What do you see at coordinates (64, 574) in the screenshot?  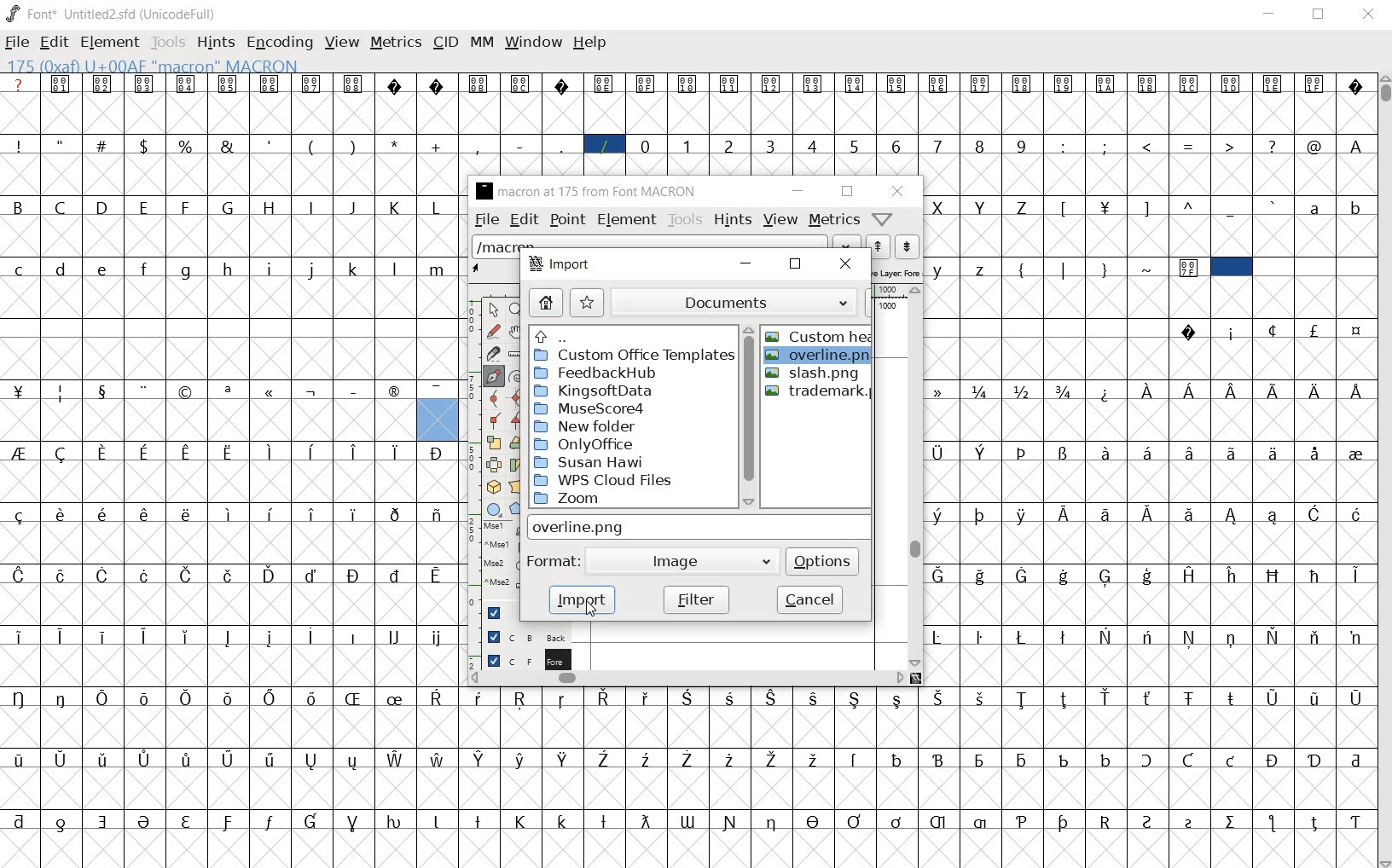 I see `Symbol` at bounding box center [64, 574].